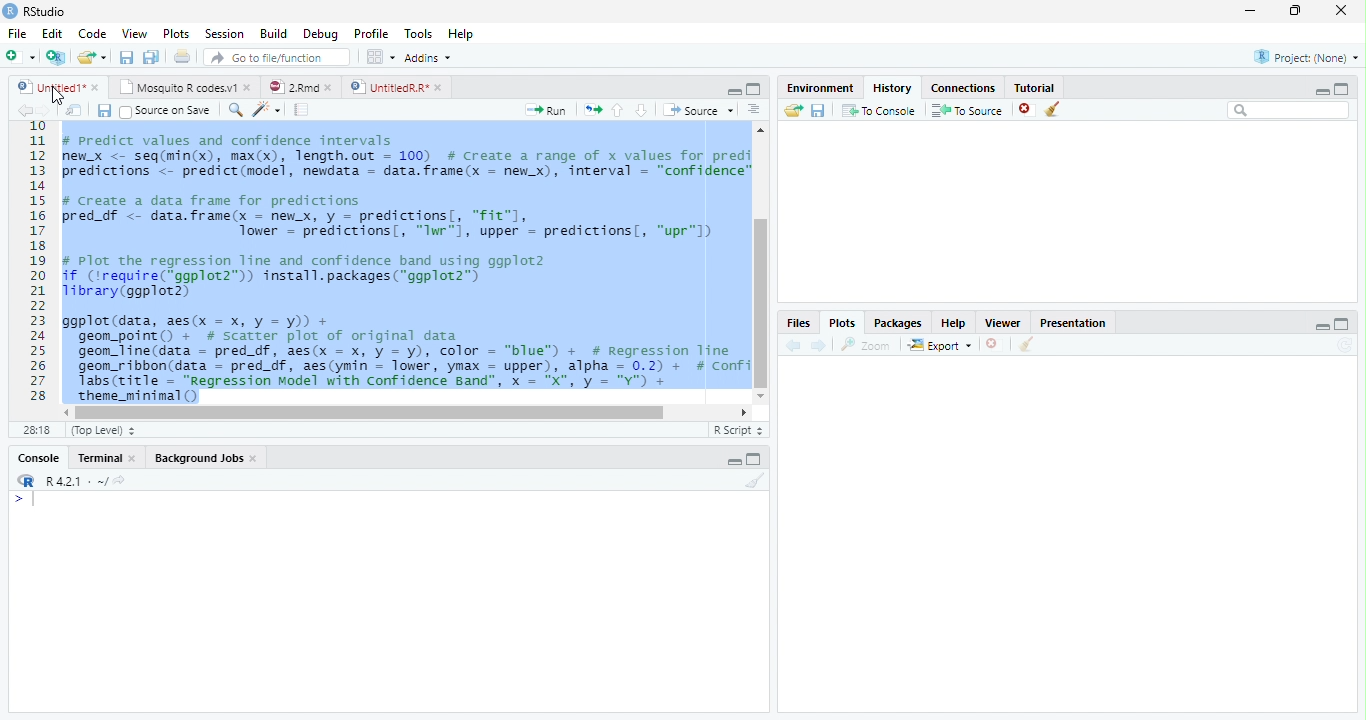 The image size is (1366, 720). What do you see at coordinates (1307, 56) in the screenshot?
I see `Project (None)` at bounding box center [1307, 56].